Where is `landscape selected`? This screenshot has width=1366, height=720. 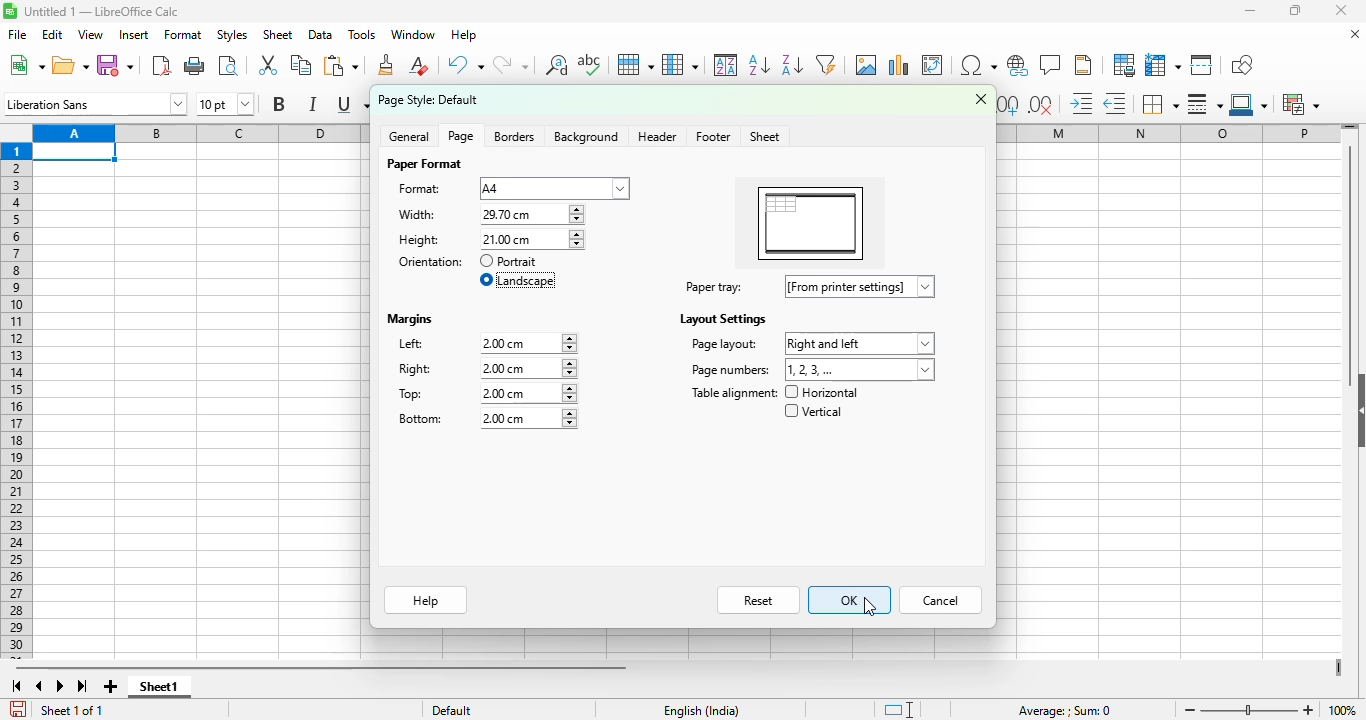
landscape selected is located at coordinates (519, 280).